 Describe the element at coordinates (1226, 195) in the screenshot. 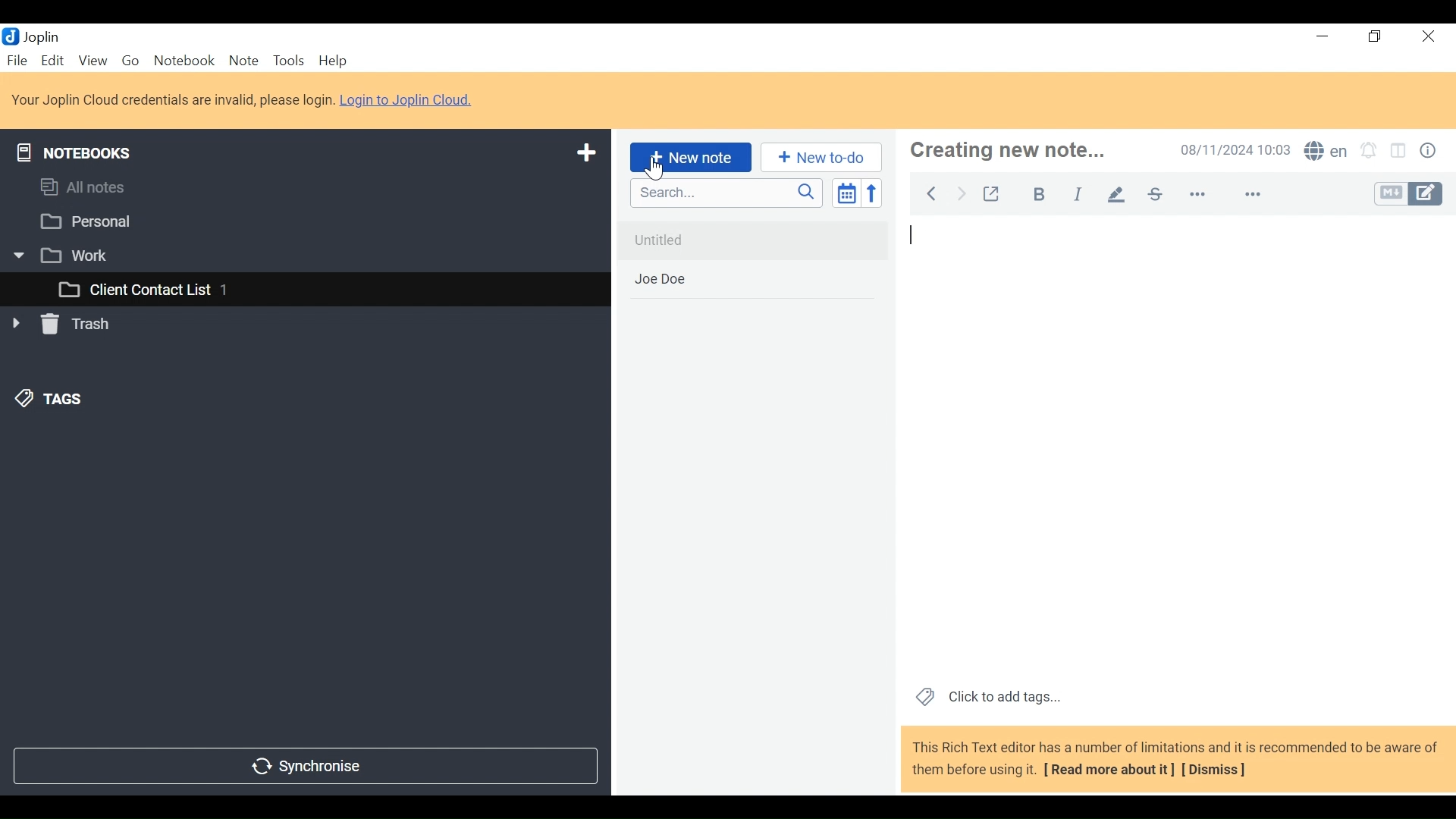

I see `more` at that location.